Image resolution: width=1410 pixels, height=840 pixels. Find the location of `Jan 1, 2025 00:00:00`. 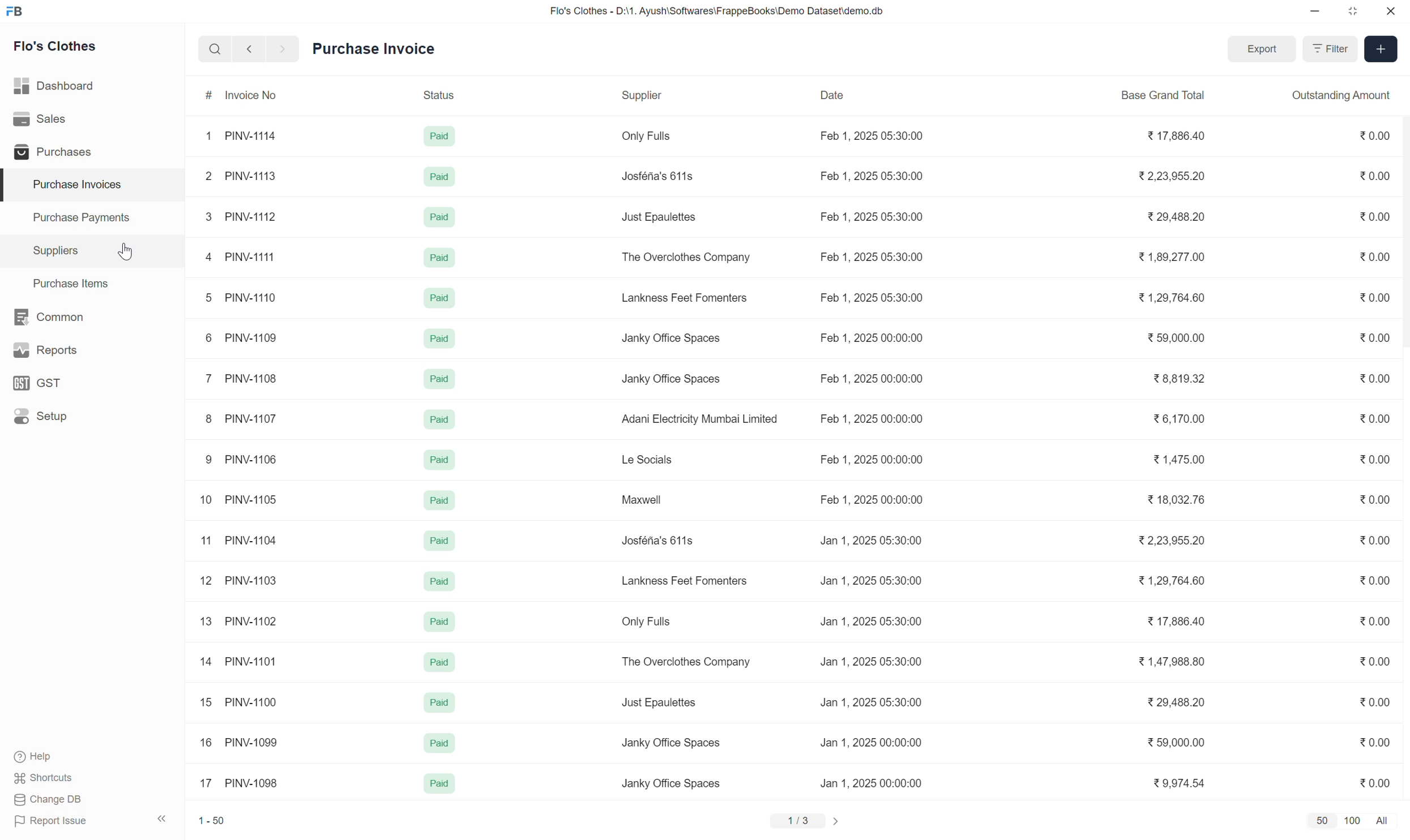

Jan 1, 2025 00:00:00 is located at coordinates (871, 742).